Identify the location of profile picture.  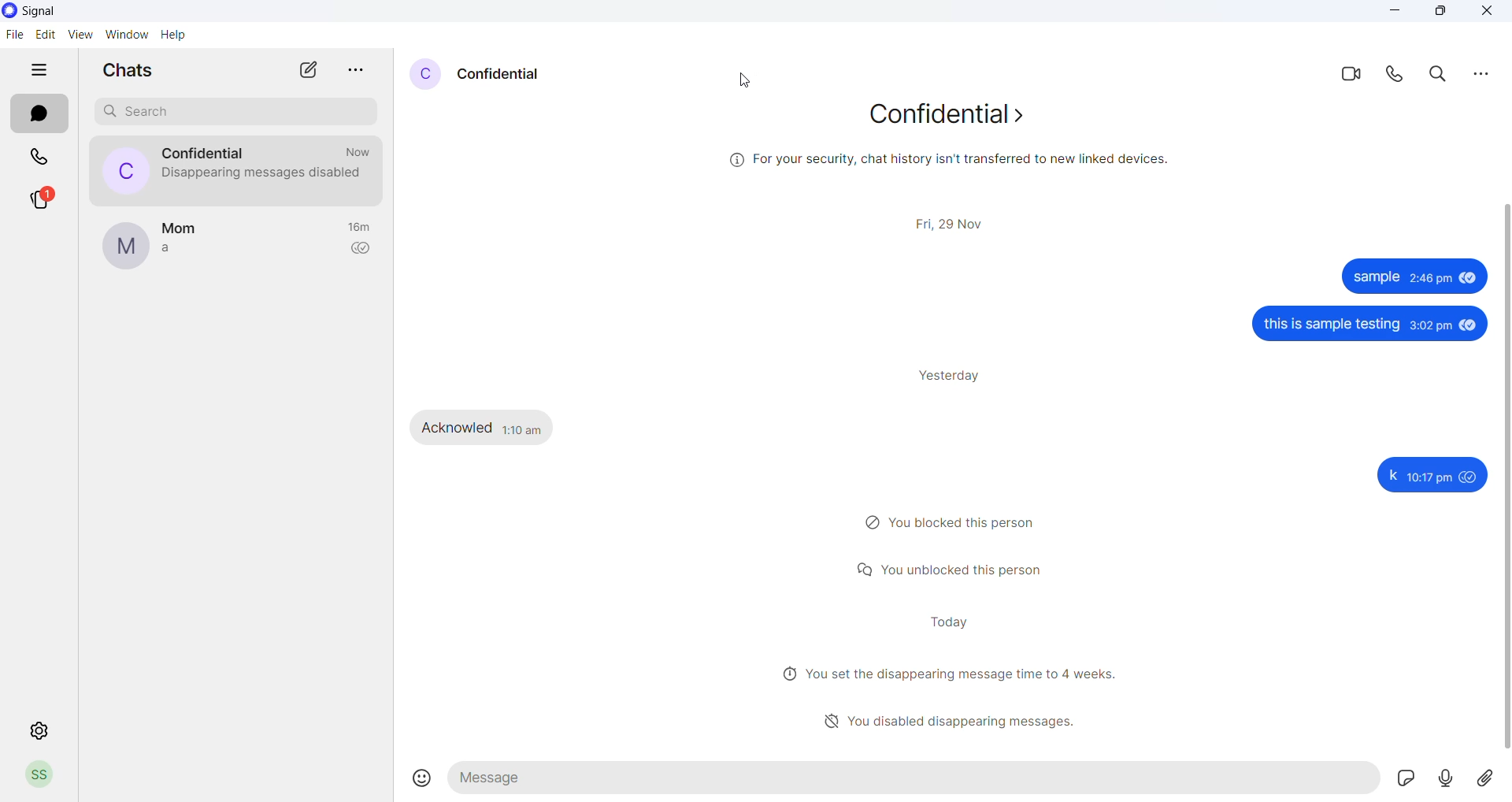
(119, 245).